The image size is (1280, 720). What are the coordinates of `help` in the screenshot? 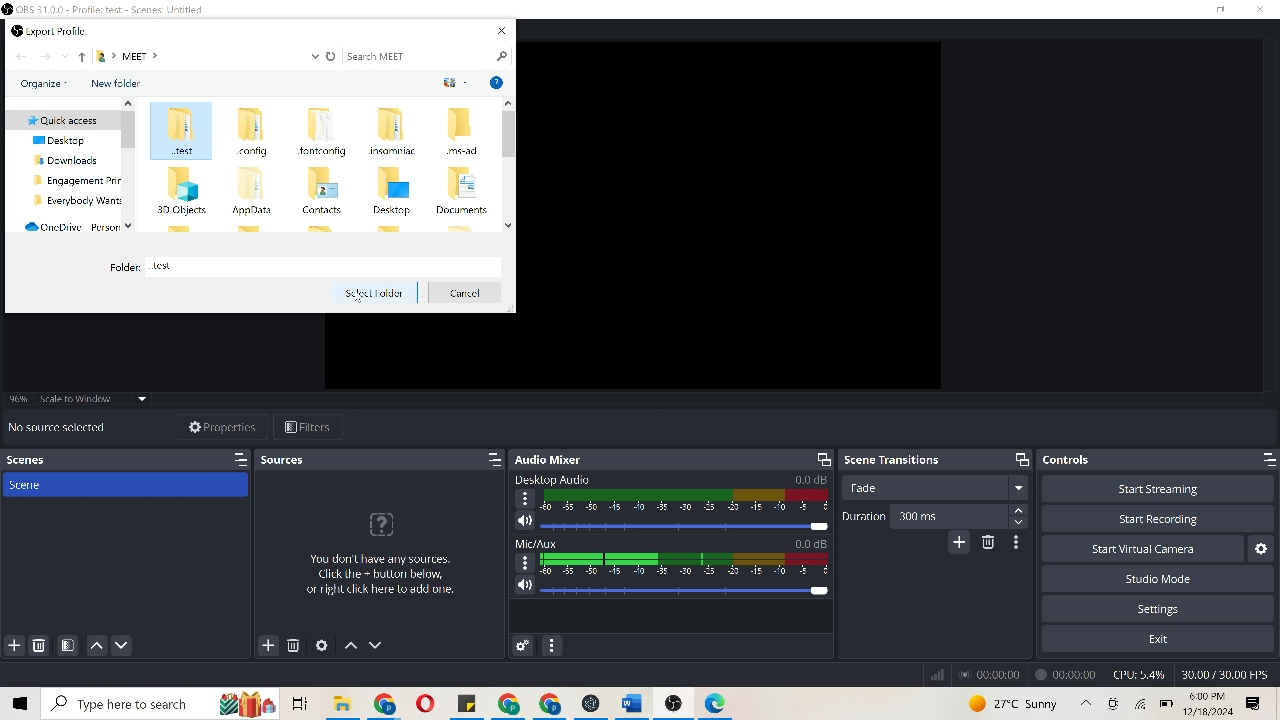 It's located at (496, 83).